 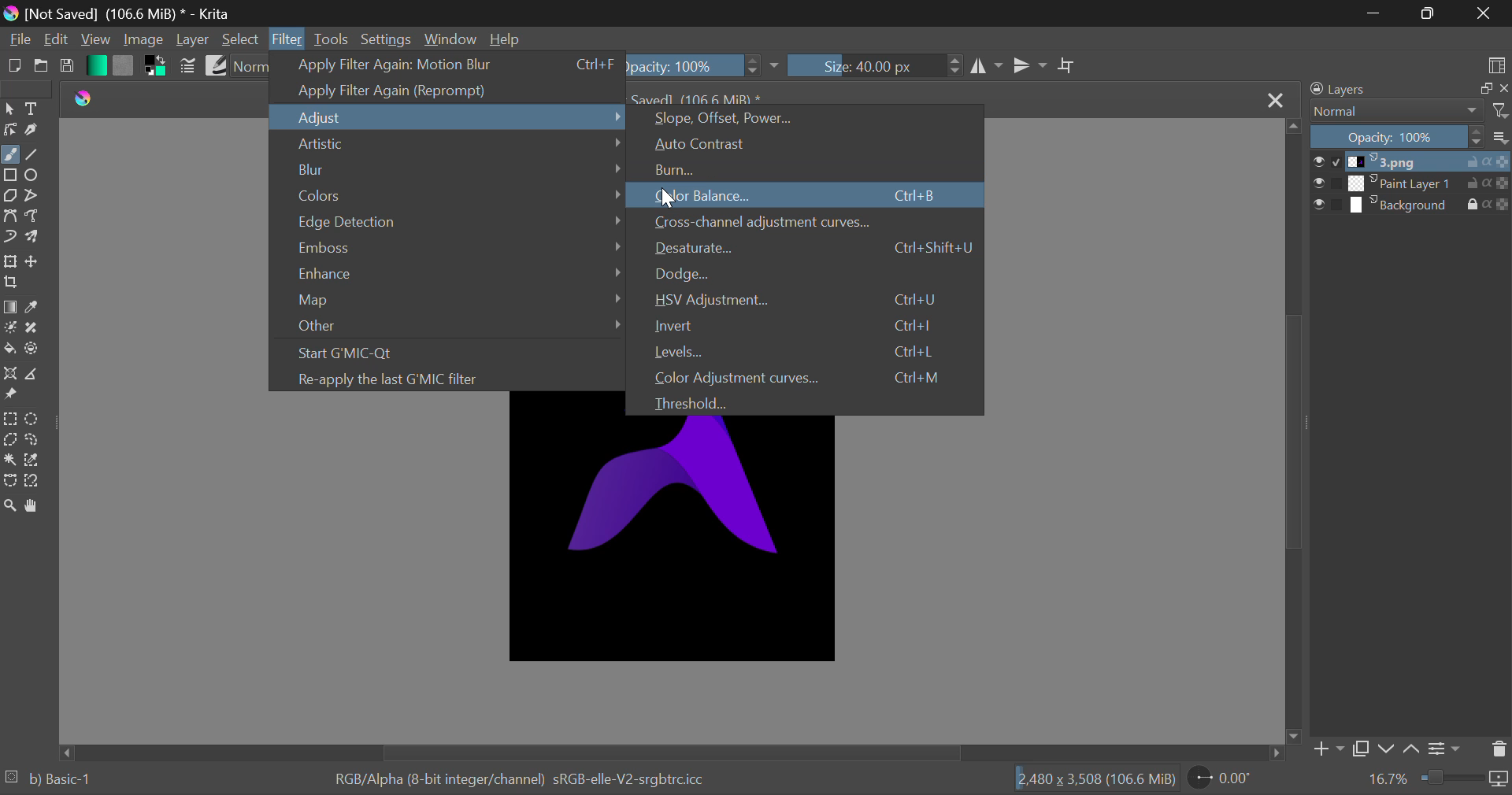 What do you see at coordinates (450, 117) in the screenshot?
I see `Adjust Menu Open` at bounding box center [450, 117].